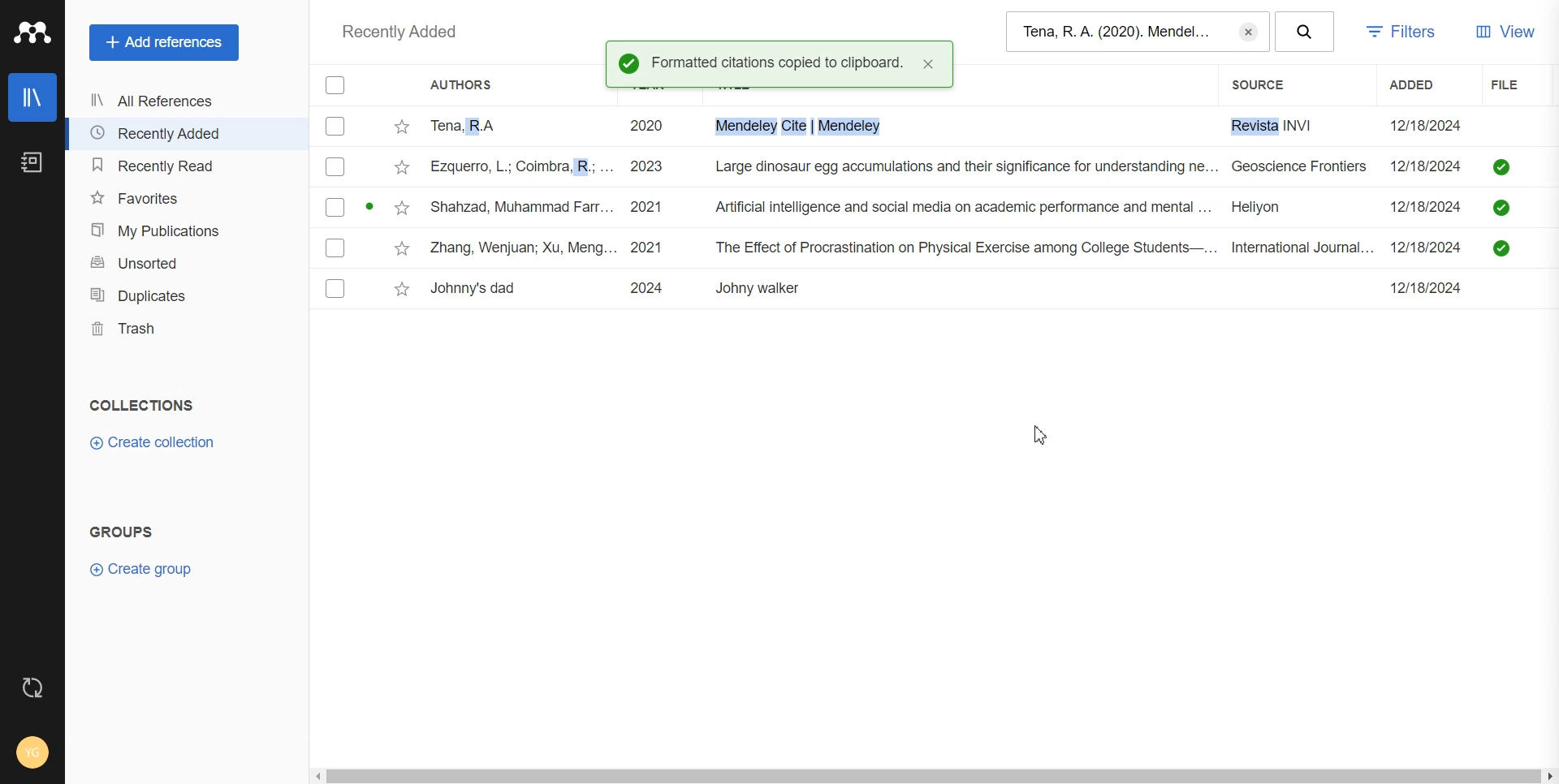 The width and height of the screenshot is (1559, 784). What do you see at coordinates (628, 62) in the screenshot?
I see `Success ` at bounding box center [628, 62].